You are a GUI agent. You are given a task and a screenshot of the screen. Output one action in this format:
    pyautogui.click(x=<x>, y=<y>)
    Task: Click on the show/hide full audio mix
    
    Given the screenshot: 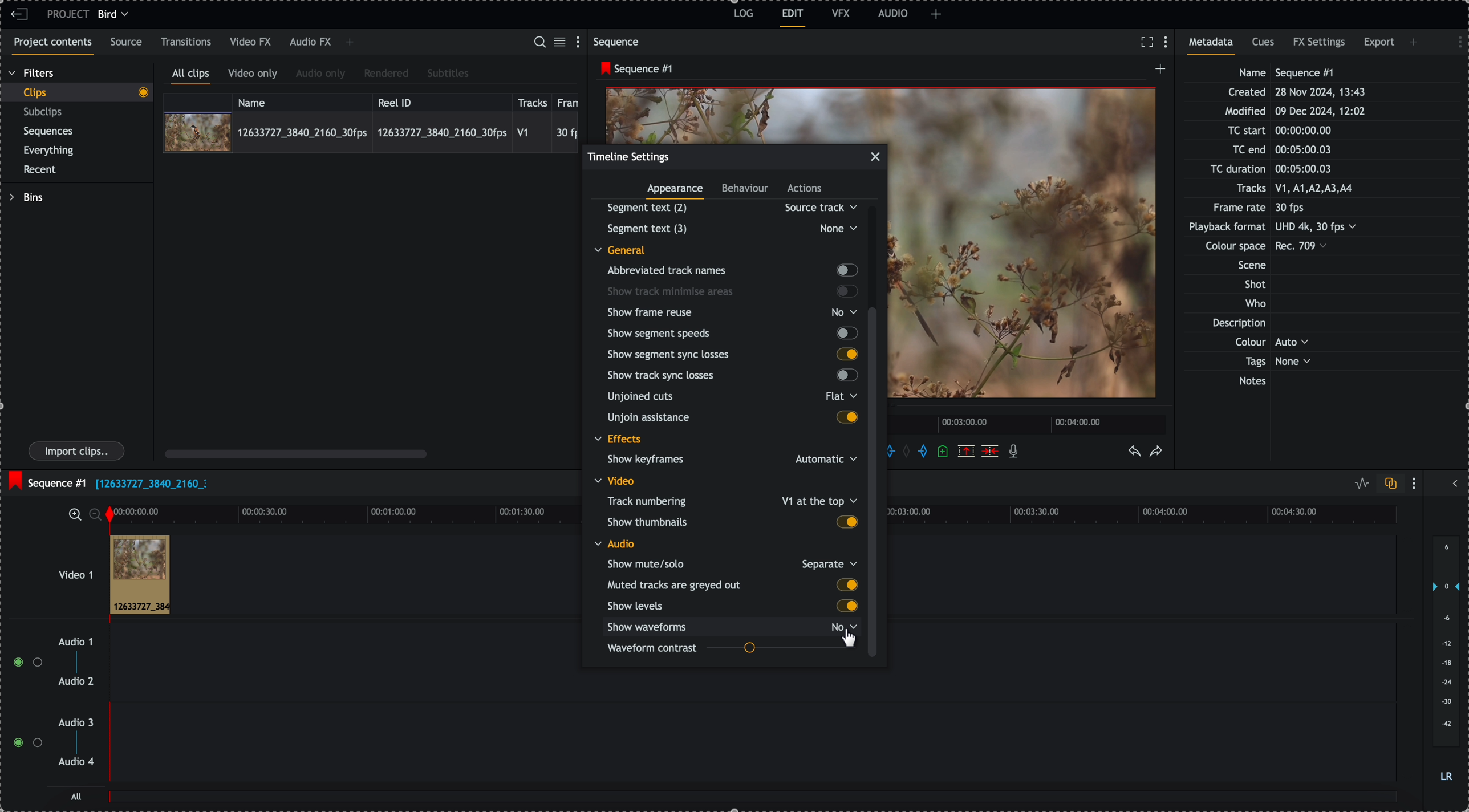 What is the action you would take?
    pyautogui.click(x=1454, y=482)
    